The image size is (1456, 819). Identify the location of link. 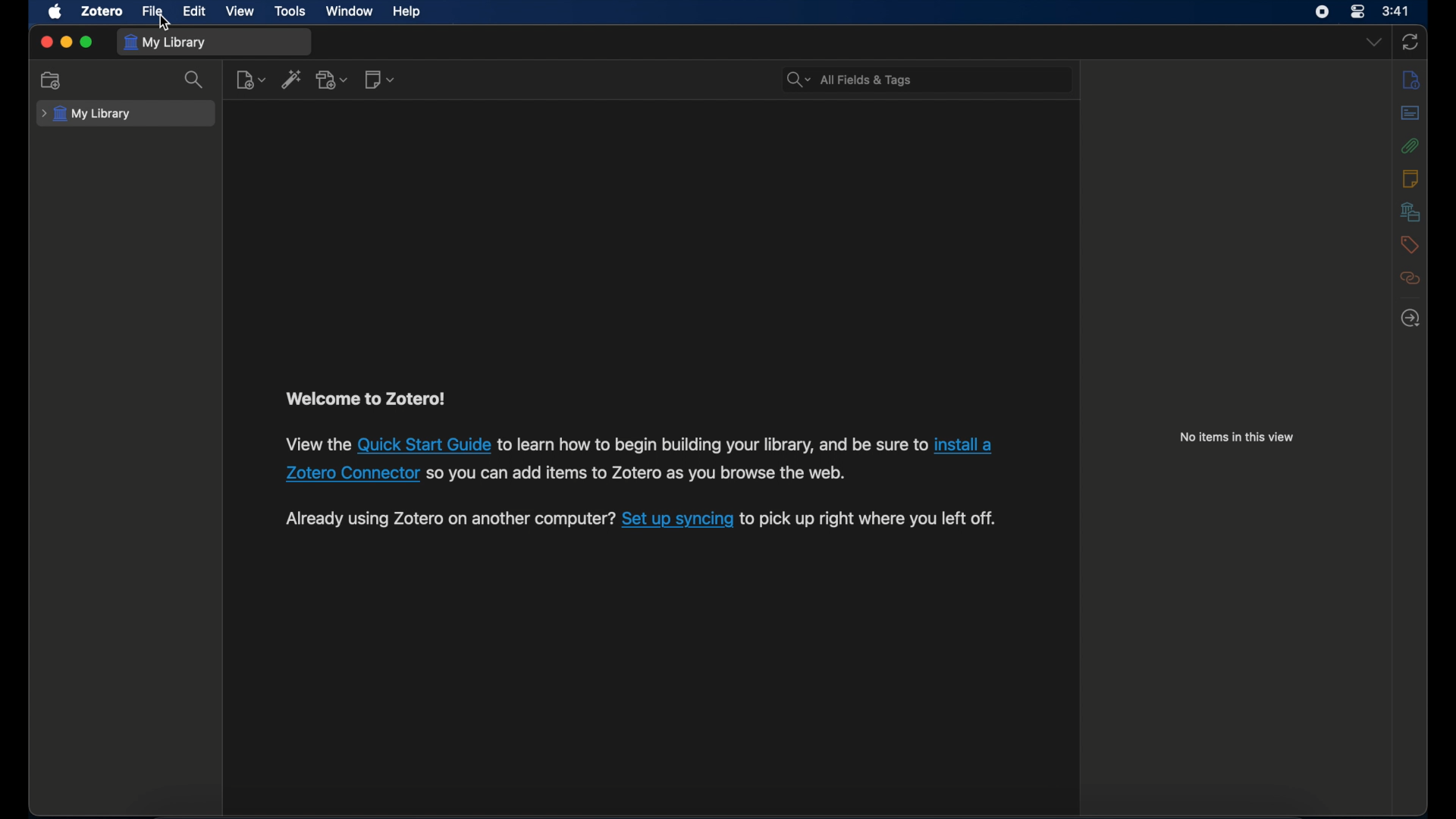
(424, 444).